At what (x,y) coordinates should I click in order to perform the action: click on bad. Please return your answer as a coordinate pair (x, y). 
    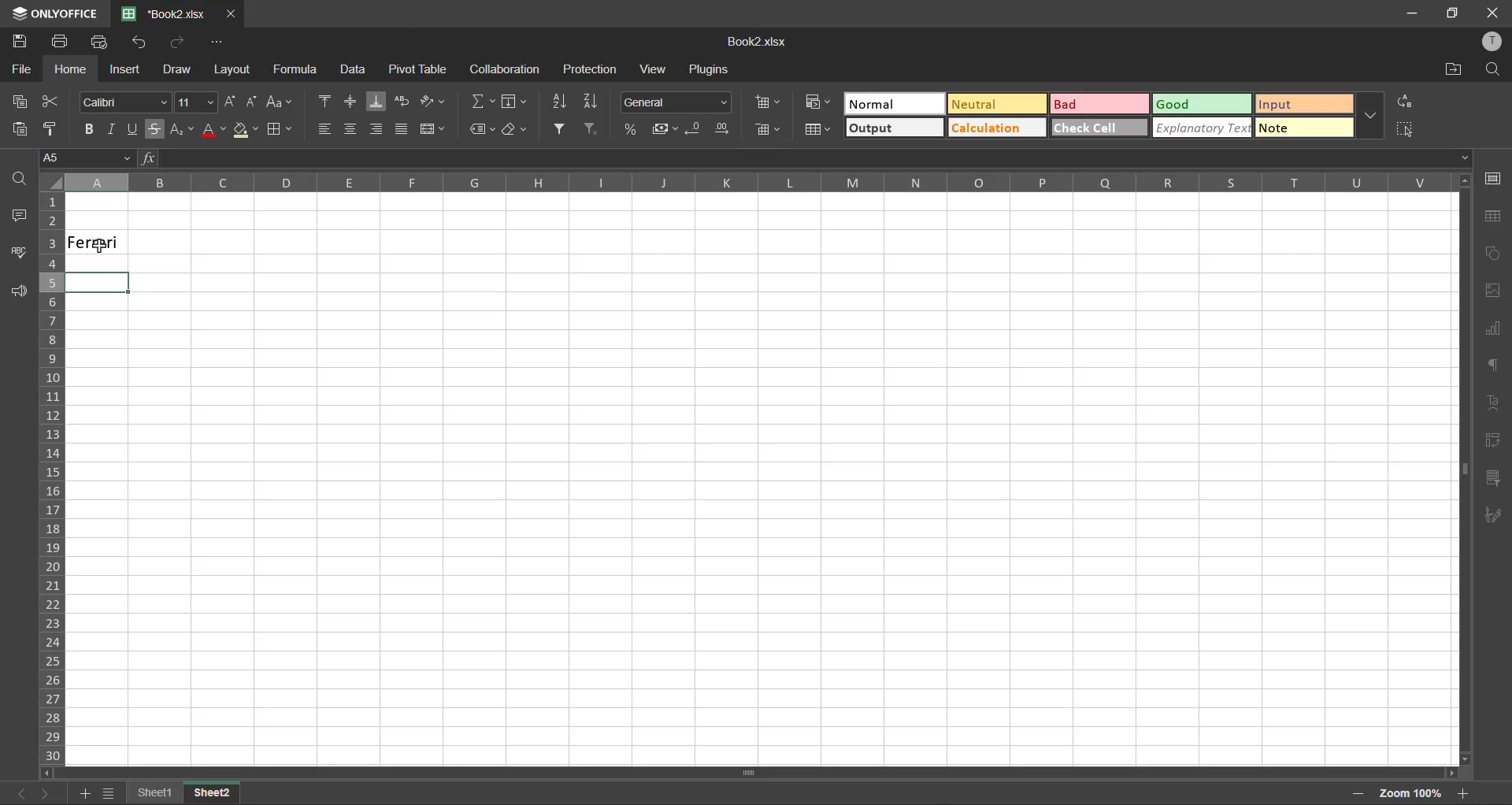
    Looking at the image, I should click on (1096, 102).